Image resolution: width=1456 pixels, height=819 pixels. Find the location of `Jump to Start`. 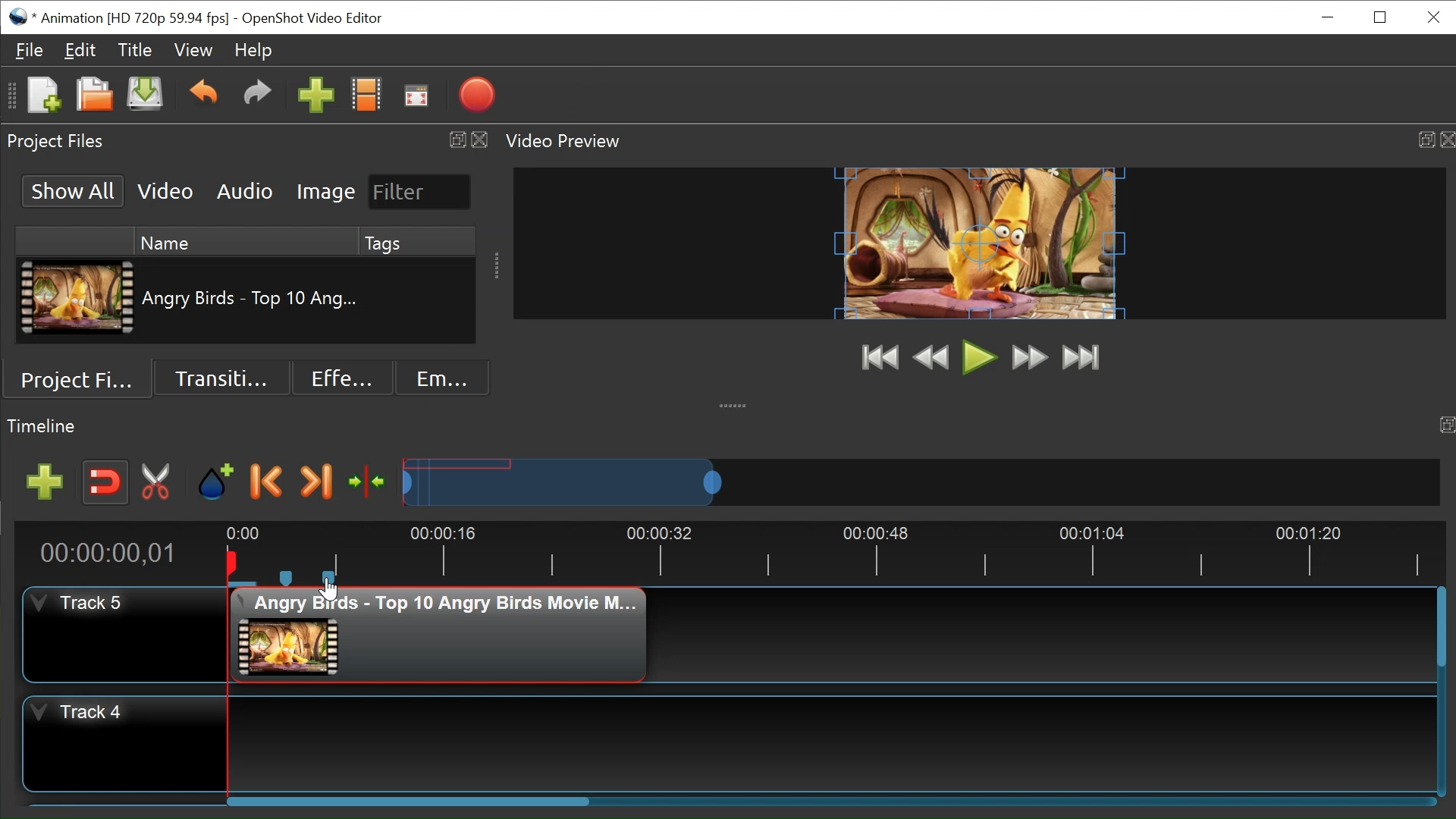

Jump to Start is located at coordinates (881, 359).